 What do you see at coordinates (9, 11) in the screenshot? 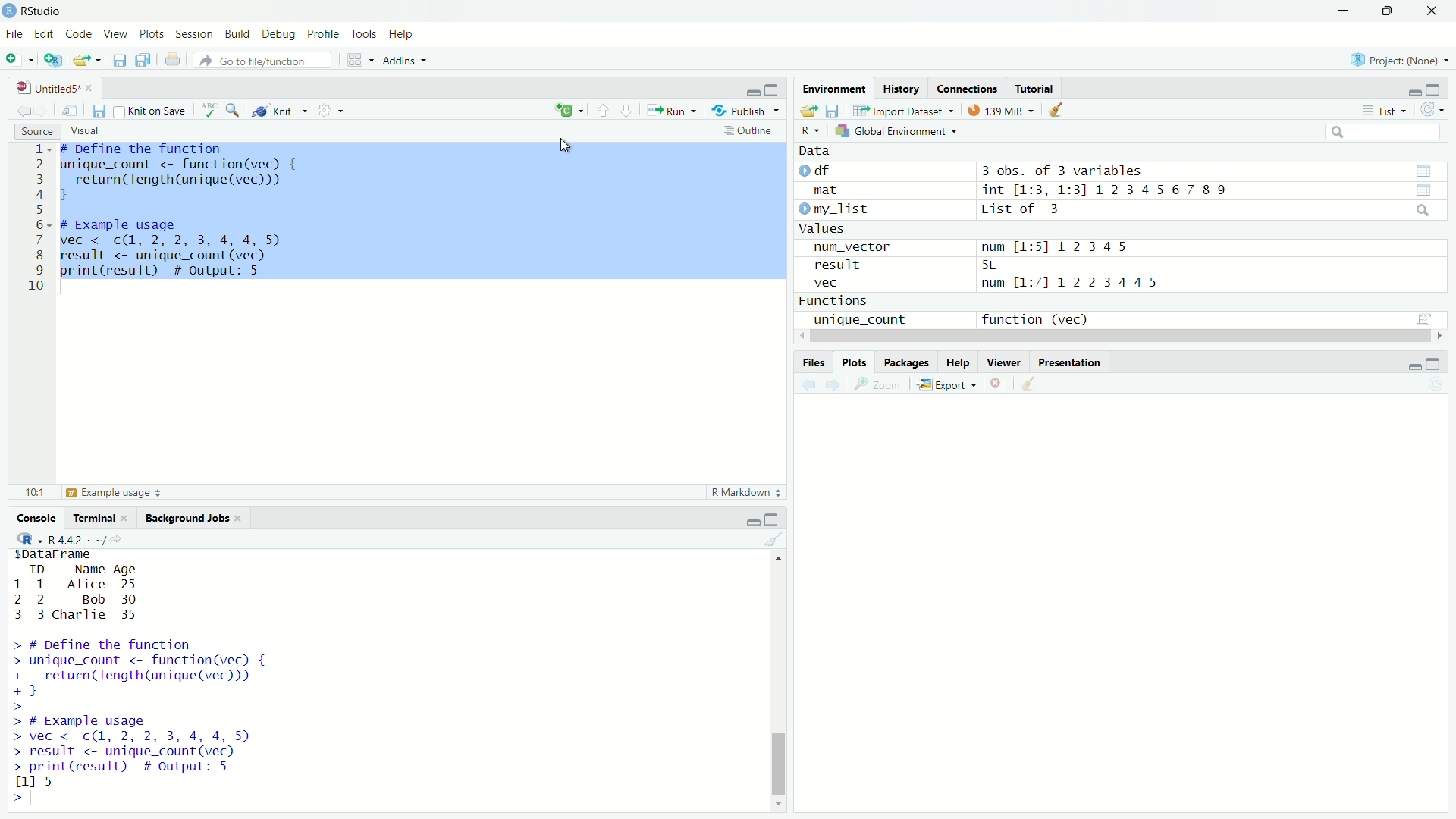
I see `app icon` at bounding box center [9, 11].